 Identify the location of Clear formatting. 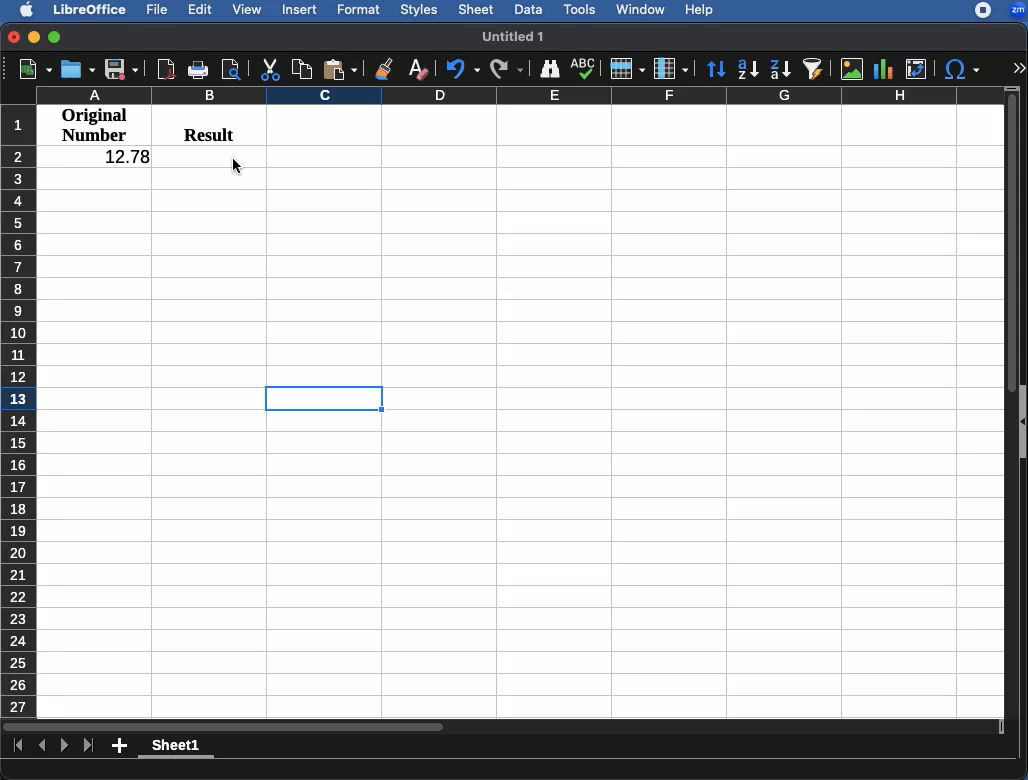
(418, 66).